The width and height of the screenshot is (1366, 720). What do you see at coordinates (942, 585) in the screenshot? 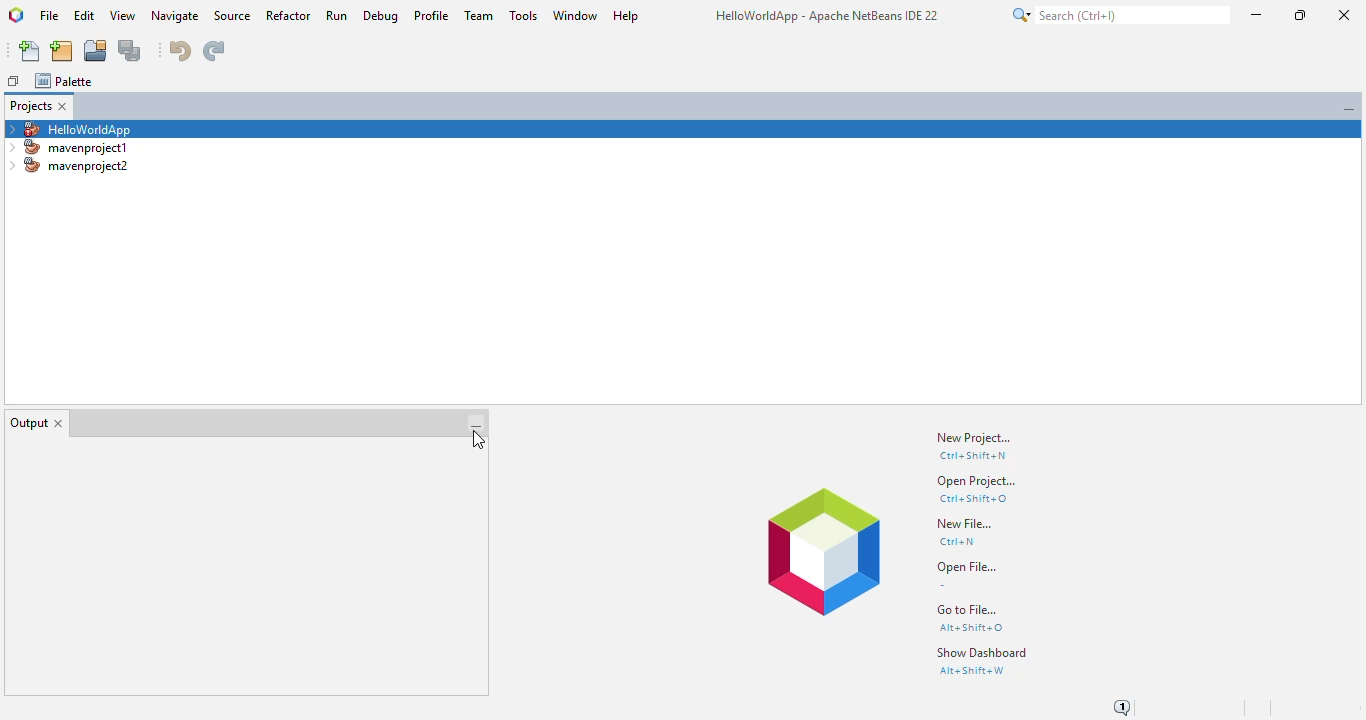
I see `-` at bounding box center [942, 585].